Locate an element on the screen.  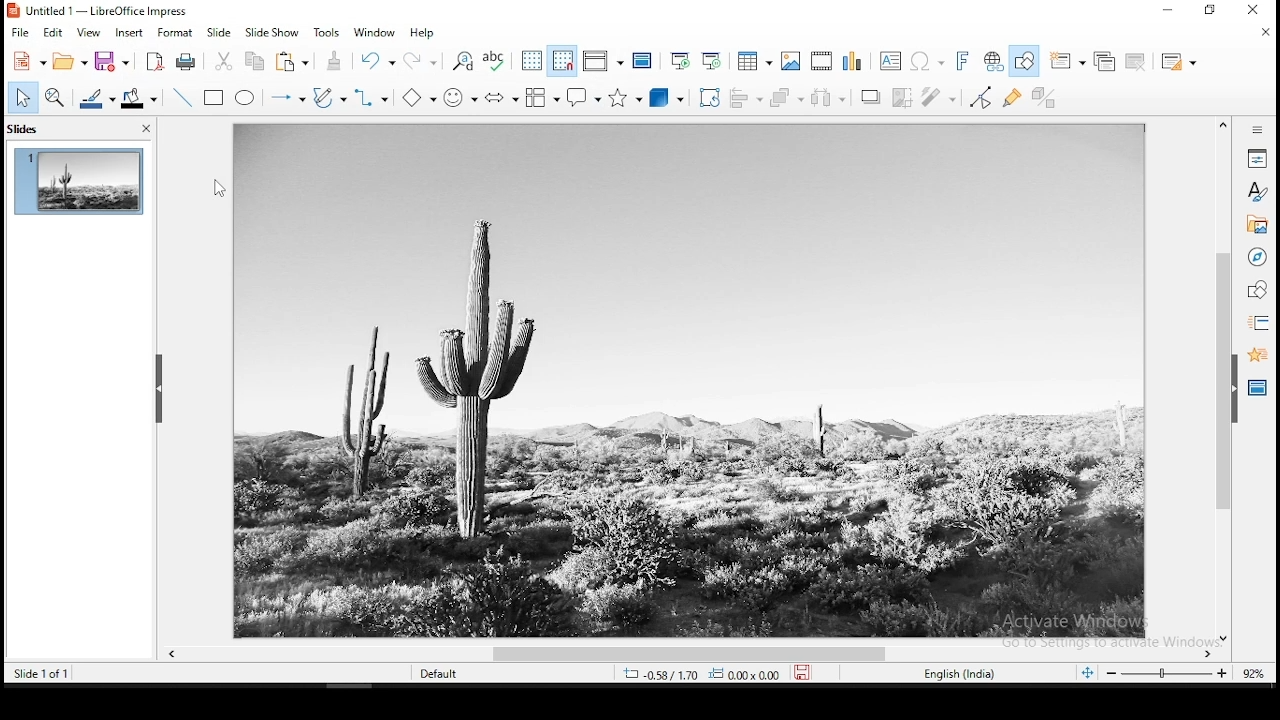
paste is located at coordinates (335, 63).